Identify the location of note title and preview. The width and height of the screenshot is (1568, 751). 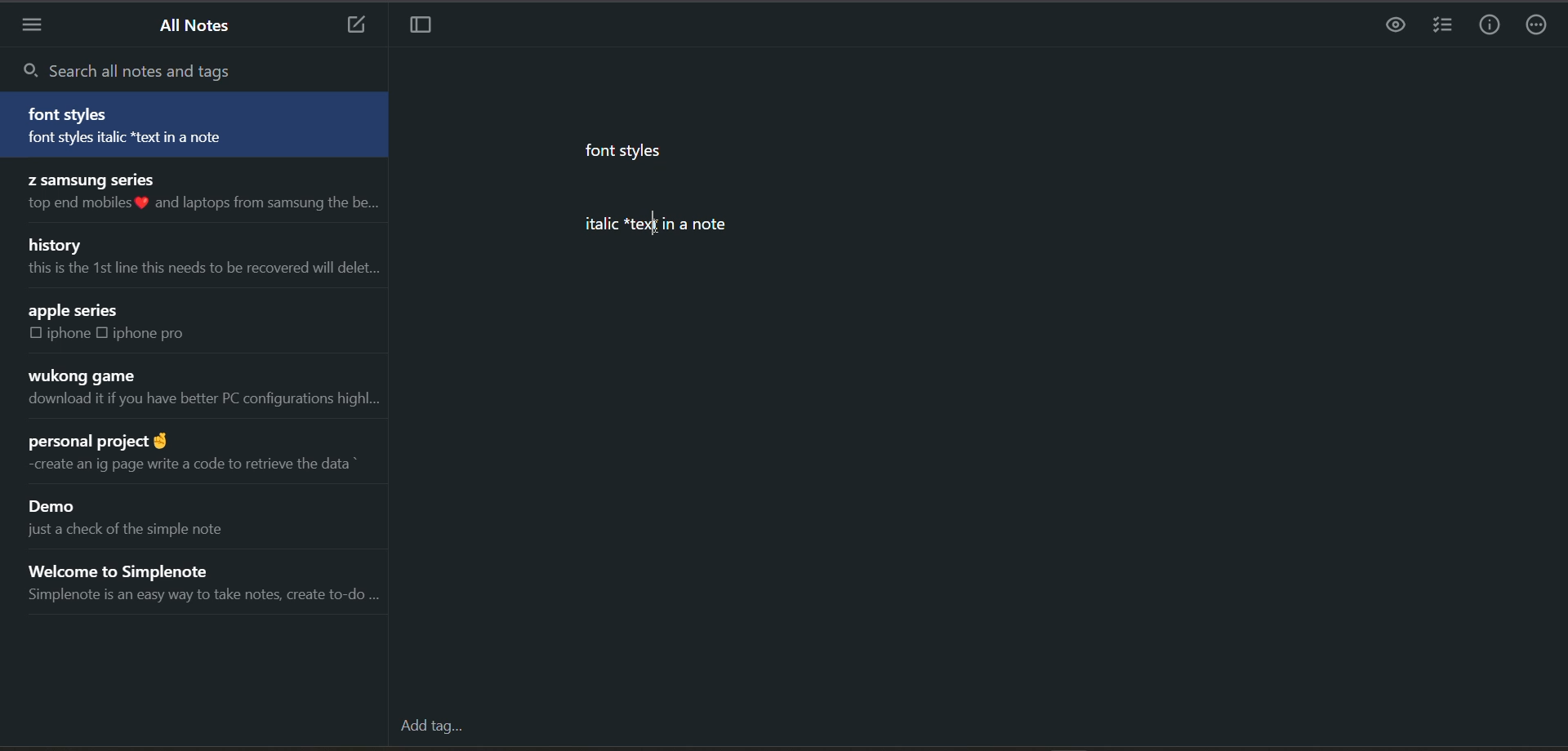
(195, 124).